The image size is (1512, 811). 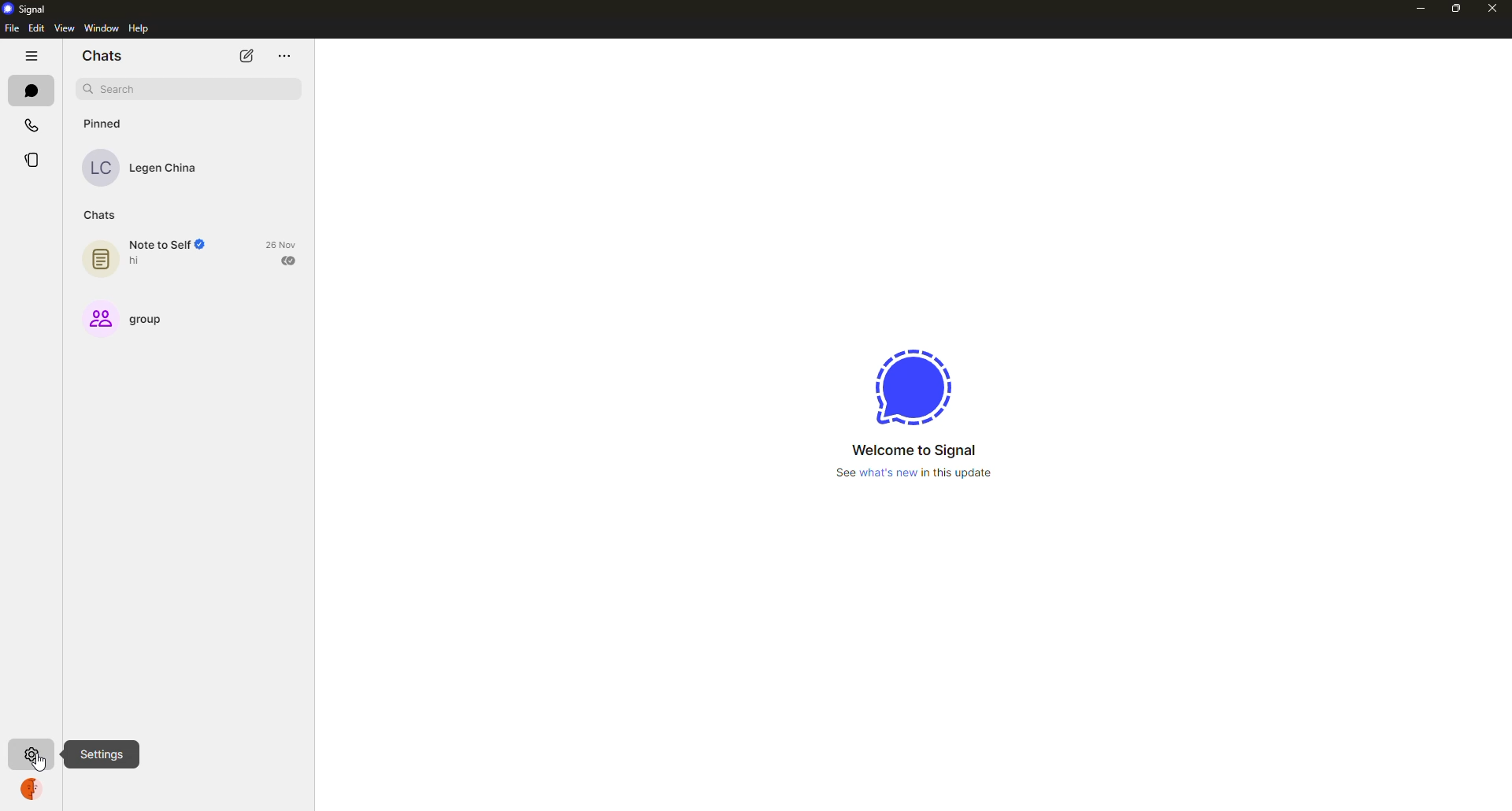 What do you see at coordinates (913, 386) in the screenshot?
I see `signal` at bounding box center [913, 386].